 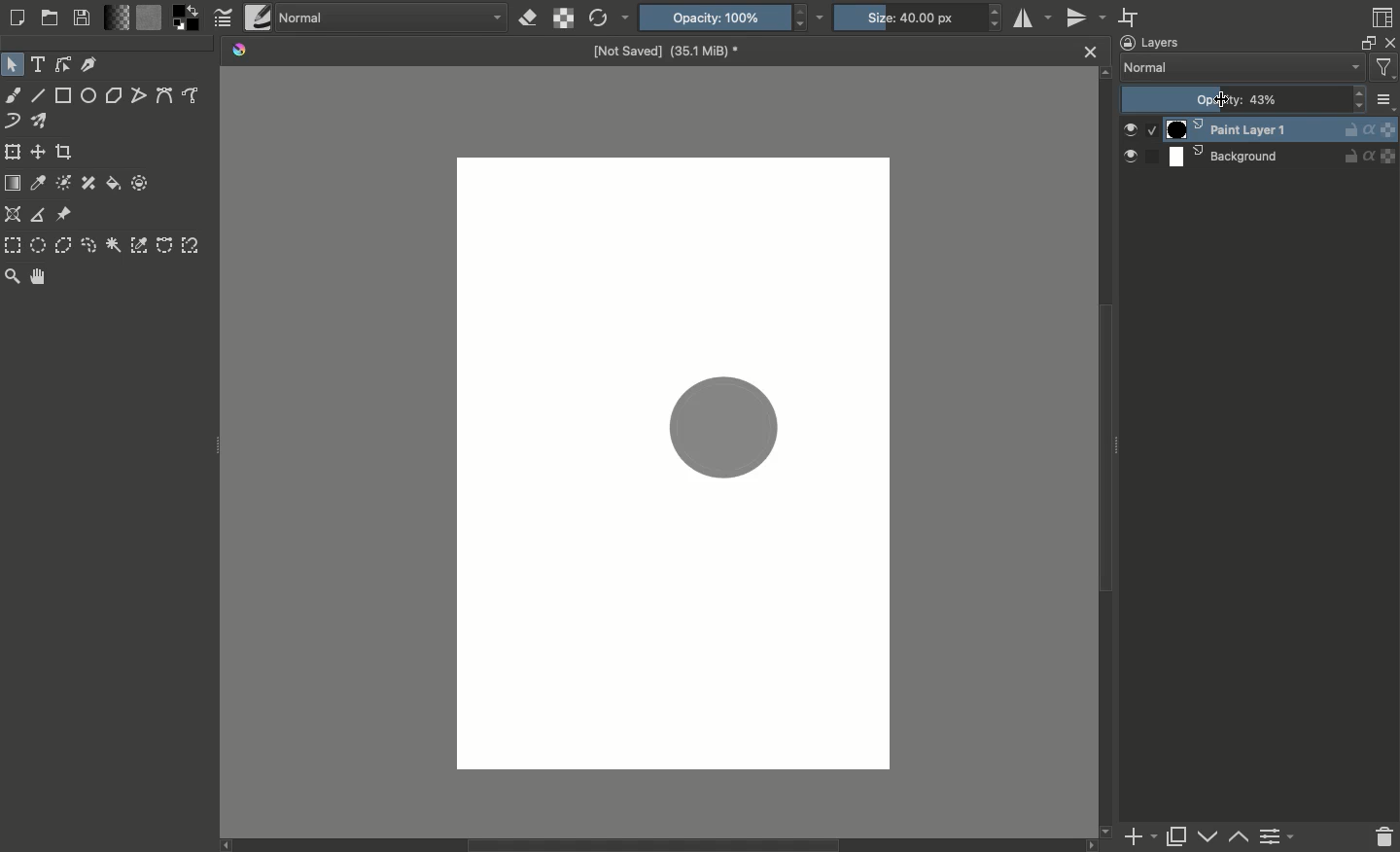 I want to click on Duplicate layer, so click(x=1177, y=837).